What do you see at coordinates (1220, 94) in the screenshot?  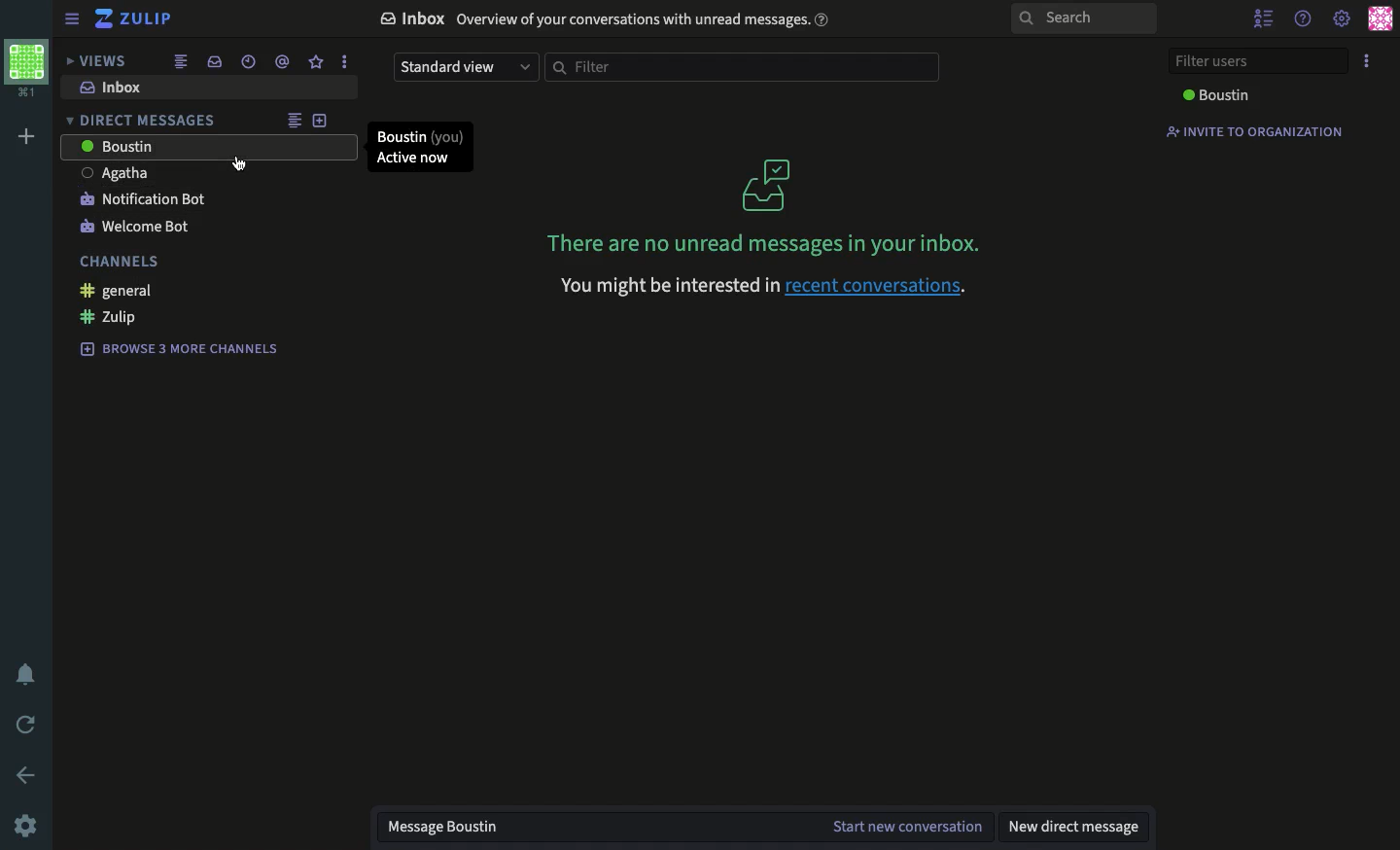 I see `Boustin` at bounding box center [1220, 94].